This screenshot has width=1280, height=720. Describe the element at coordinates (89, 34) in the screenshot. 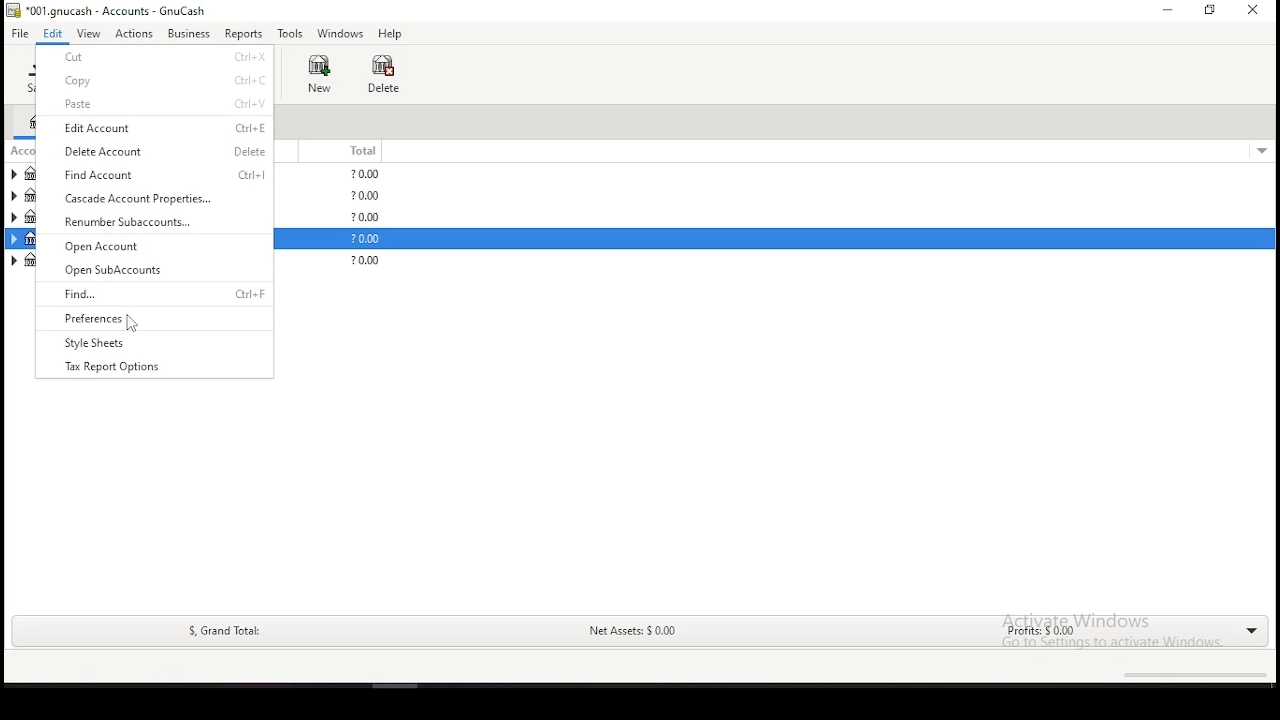

I see `view` at that location.